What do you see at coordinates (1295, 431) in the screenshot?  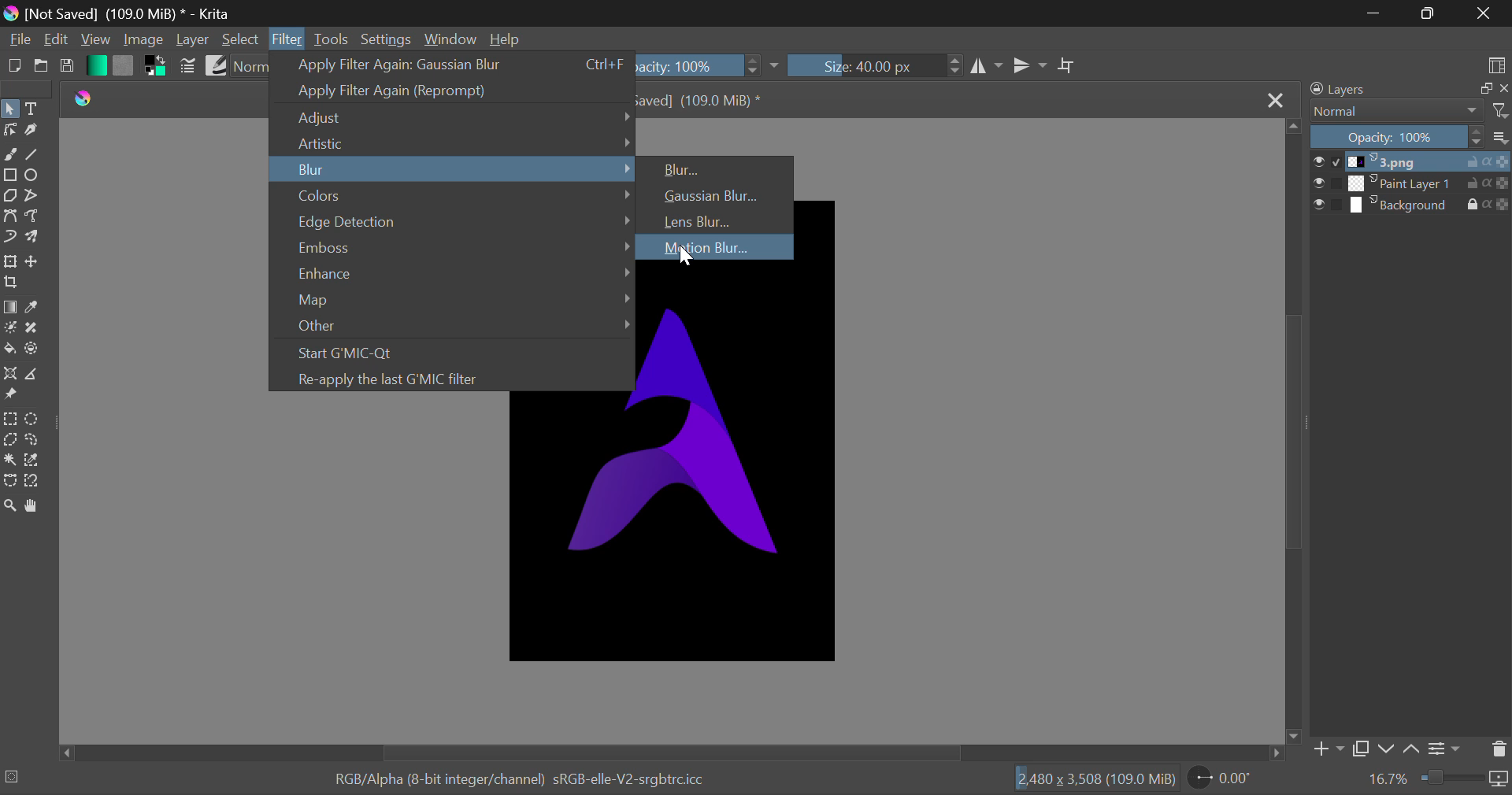 I see `Scroll Bar` at bounding box center [1295, 431].